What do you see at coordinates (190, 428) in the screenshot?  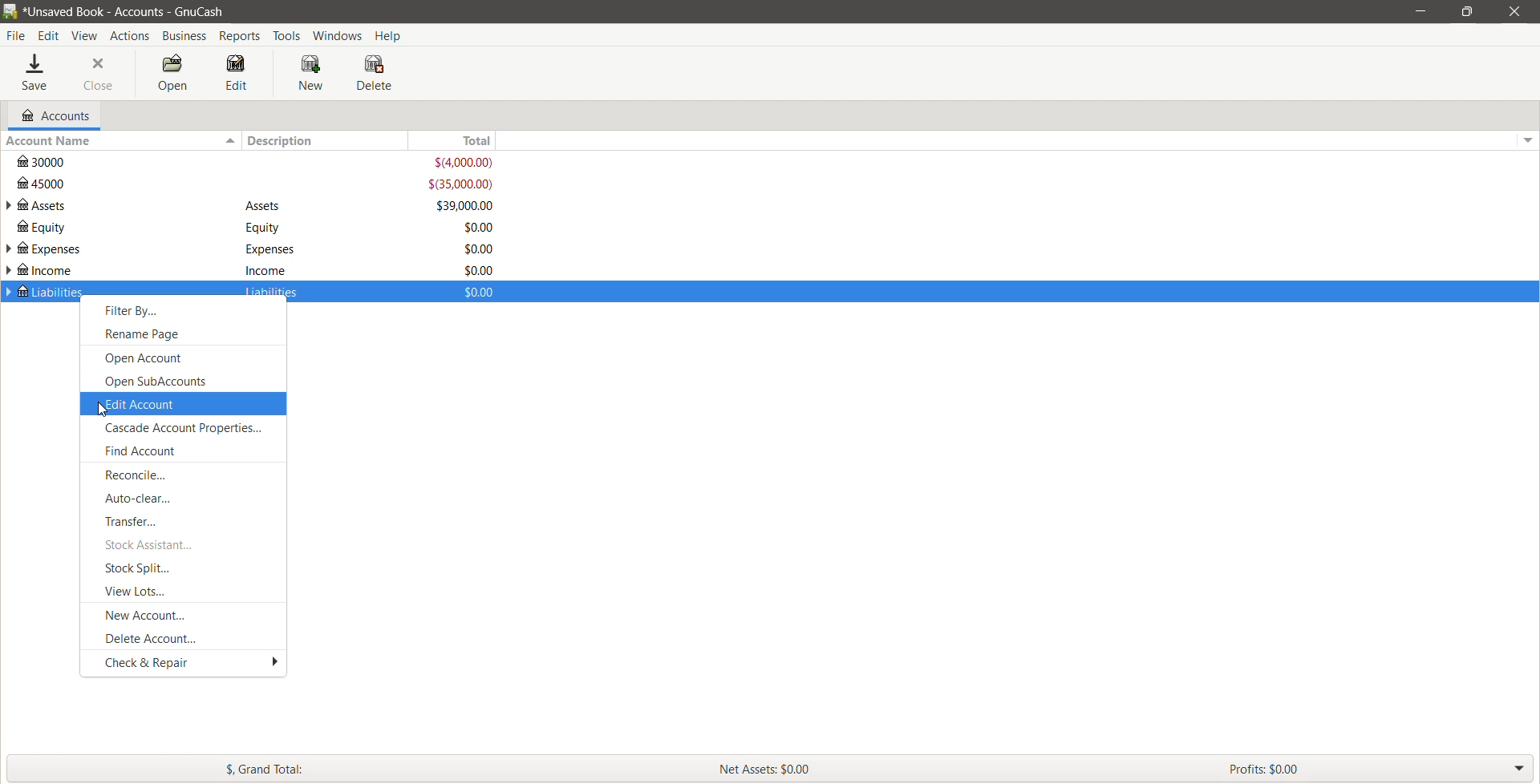 I see `Cascade Account Properties` at bounding box center [190, 428].